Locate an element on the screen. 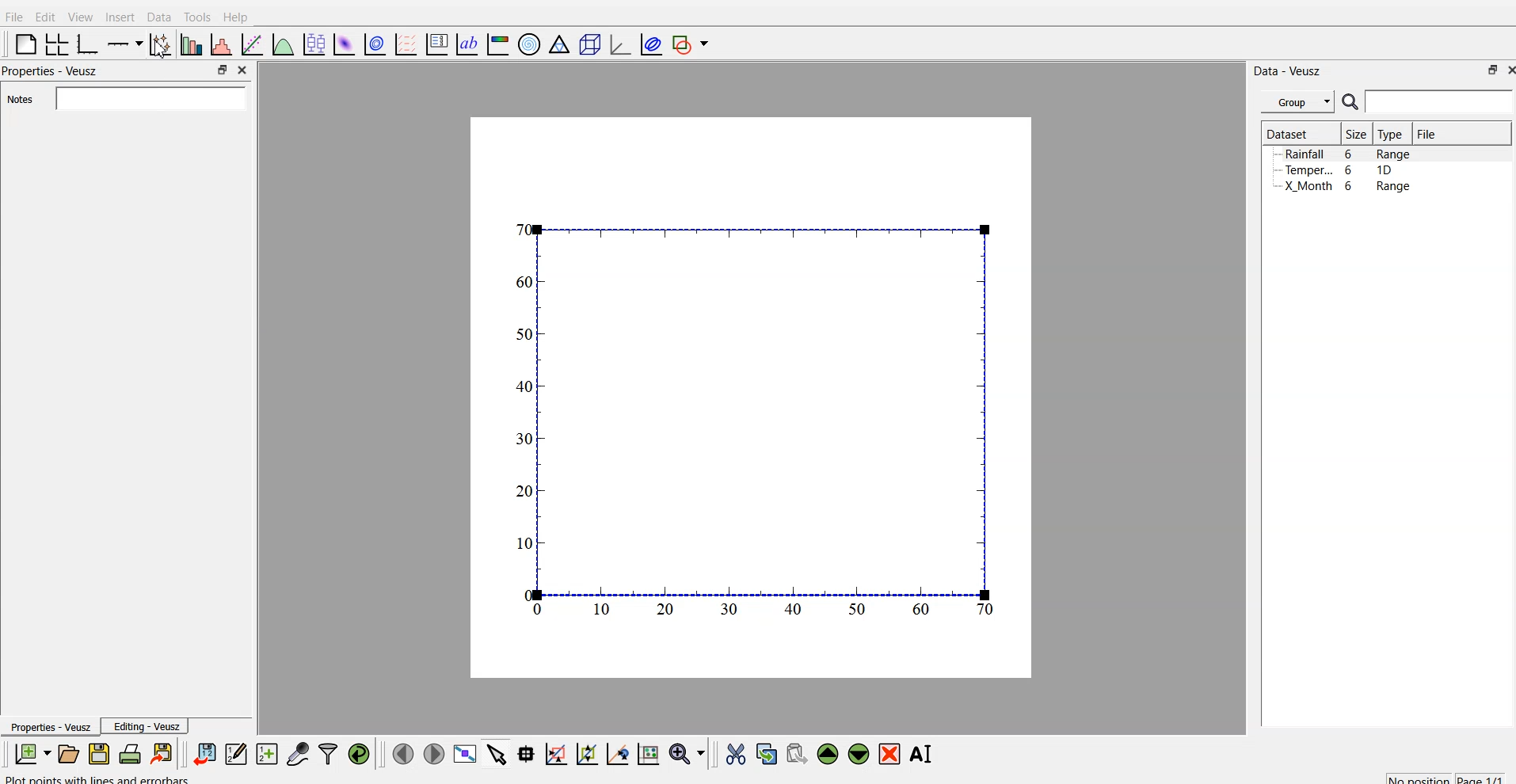  Rainfall 6 Range is located at coordinates (1350, 154).